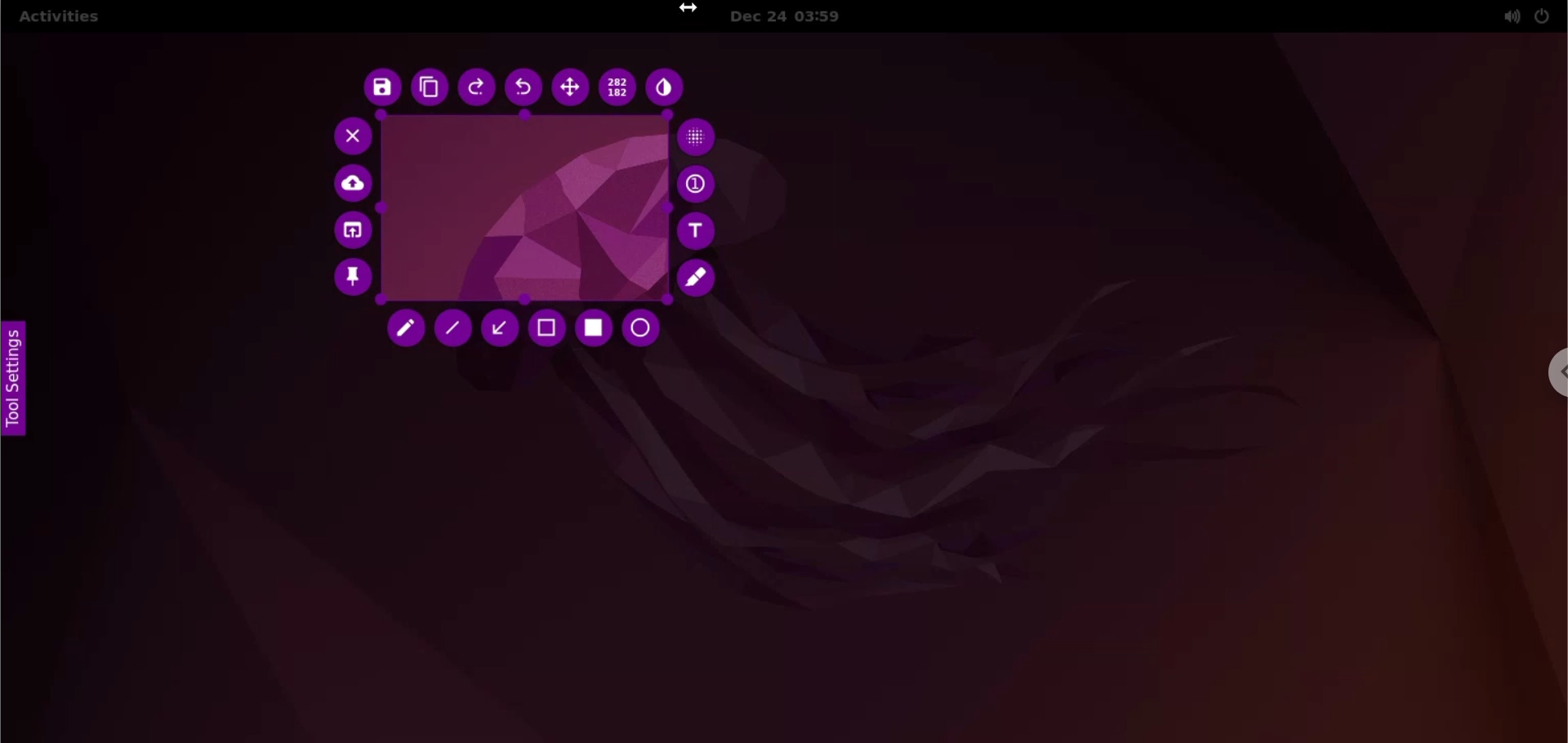 This screenshot has height=743, width=1568. What do you see at coordinates (595, 333) in the screenshot?
I see `rectangle` at bounding box center [595, 333].